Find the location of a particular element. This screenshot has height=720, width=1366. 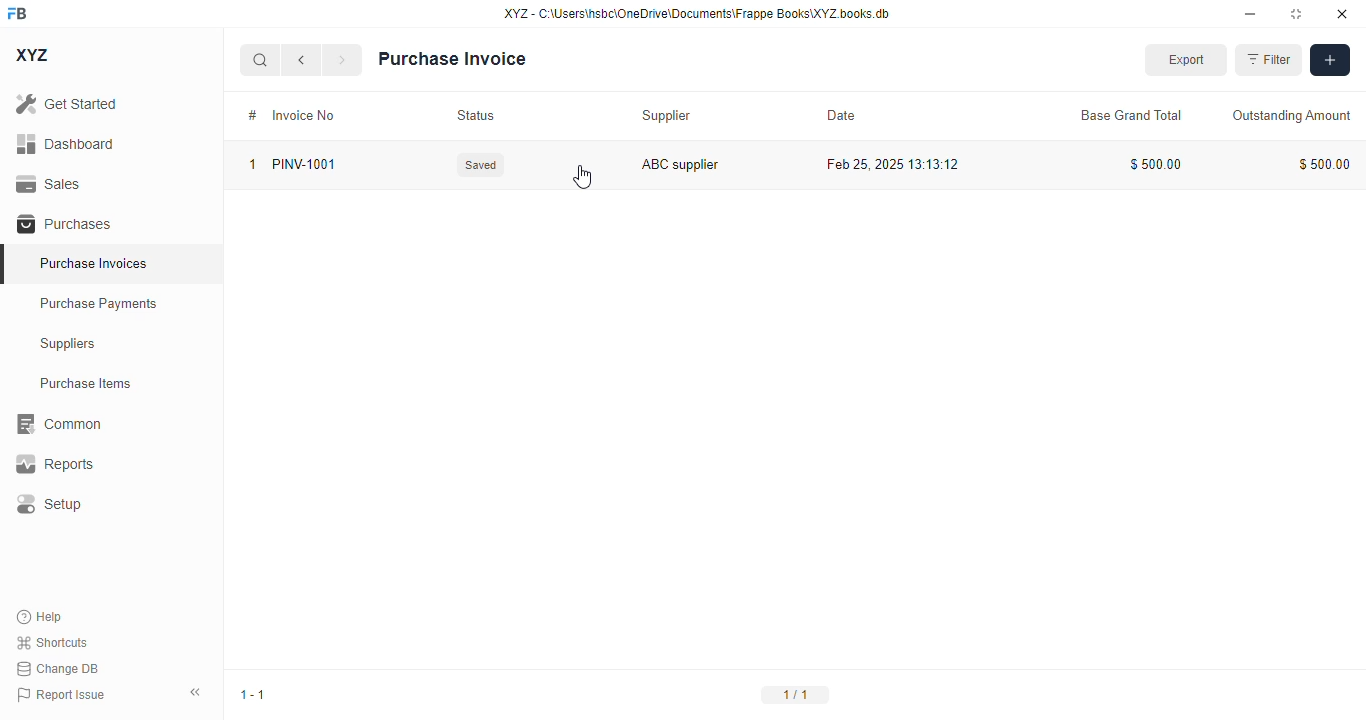

PINV-1001 is located at coordinates (305, 164).